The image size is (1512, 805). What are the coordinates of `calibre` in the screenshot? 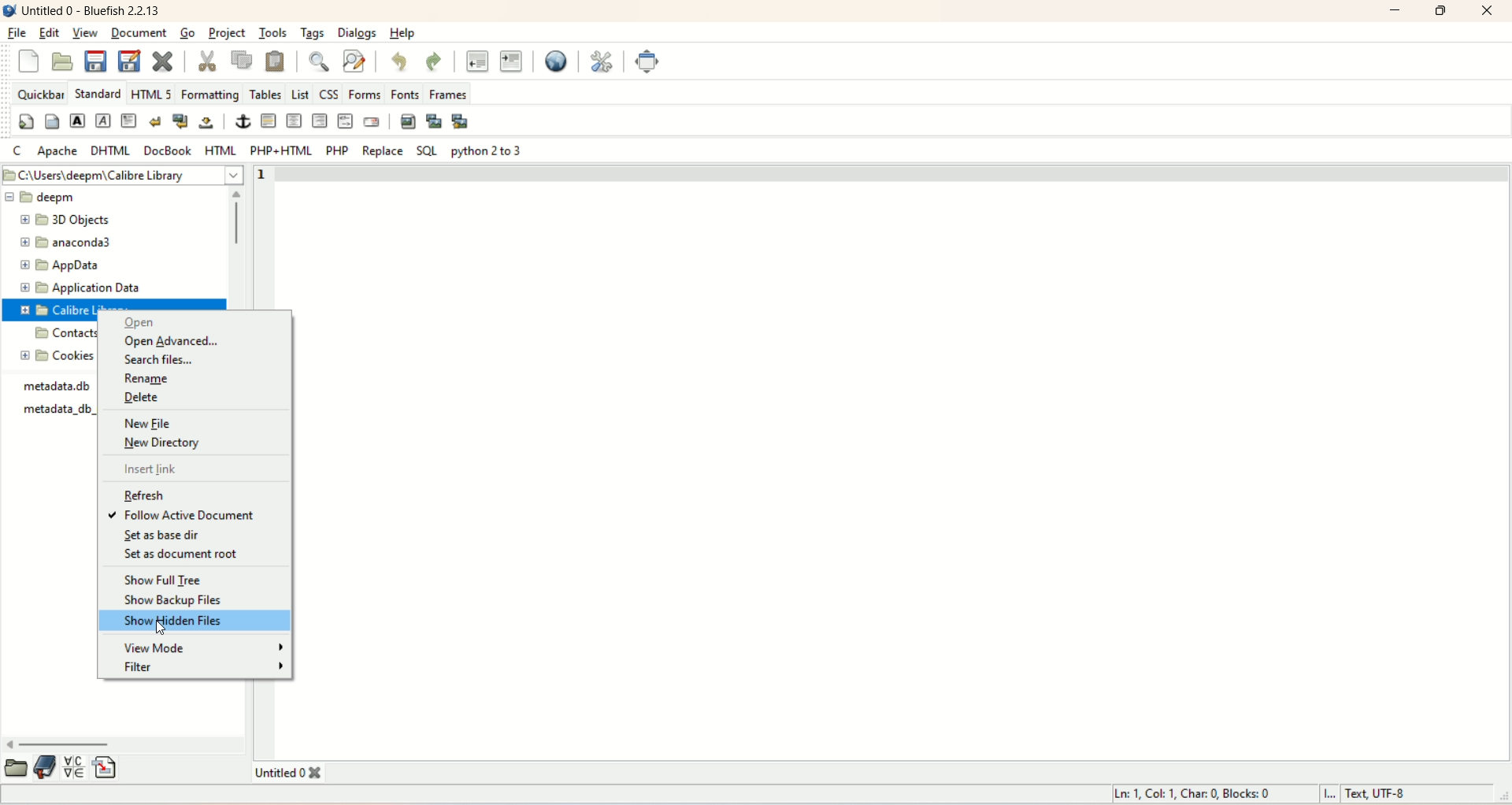 It's located at (71, 309).